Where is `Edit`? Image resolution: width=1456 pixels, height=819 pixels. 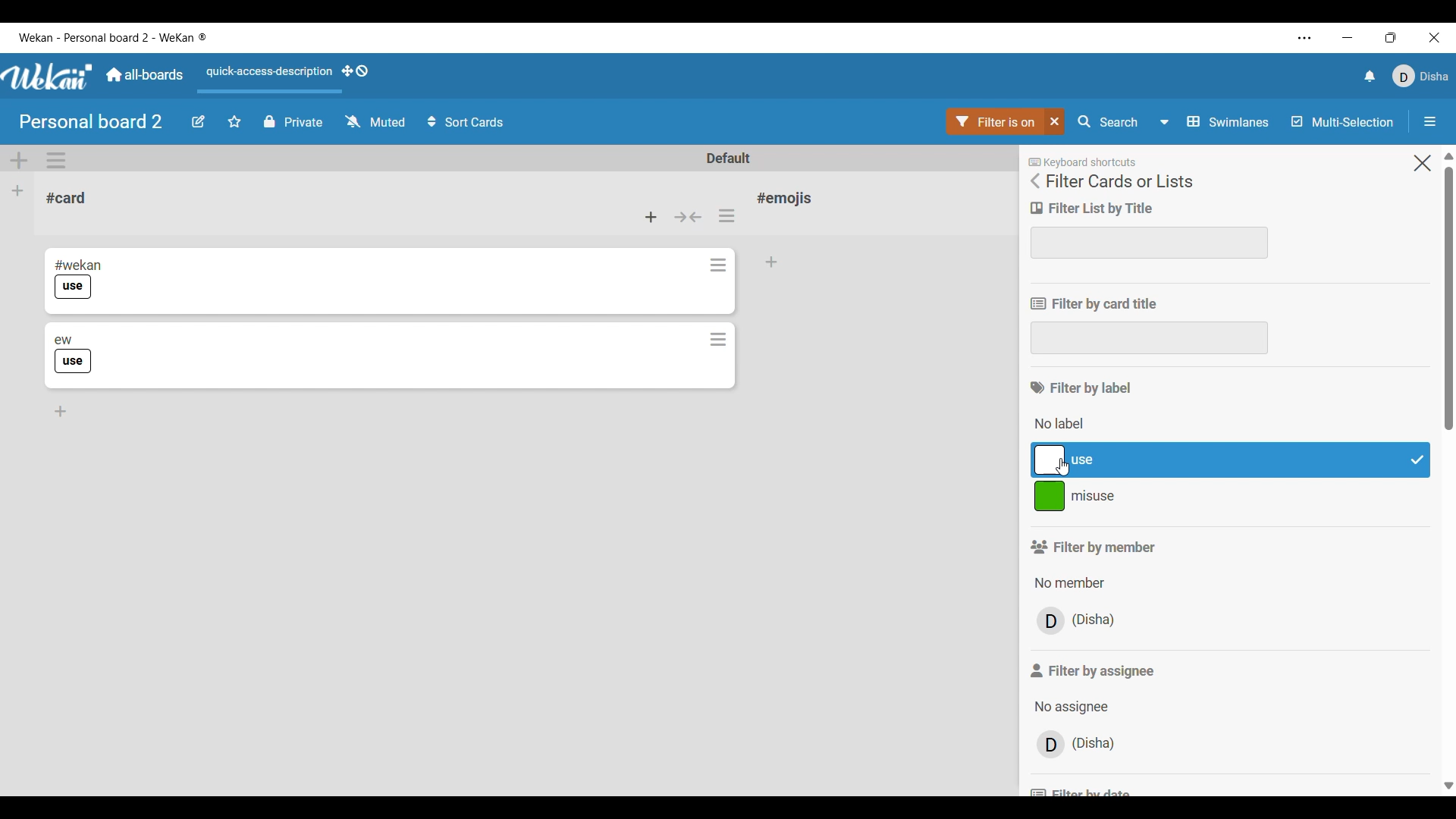
Edit is located at coordinates (198, 122).